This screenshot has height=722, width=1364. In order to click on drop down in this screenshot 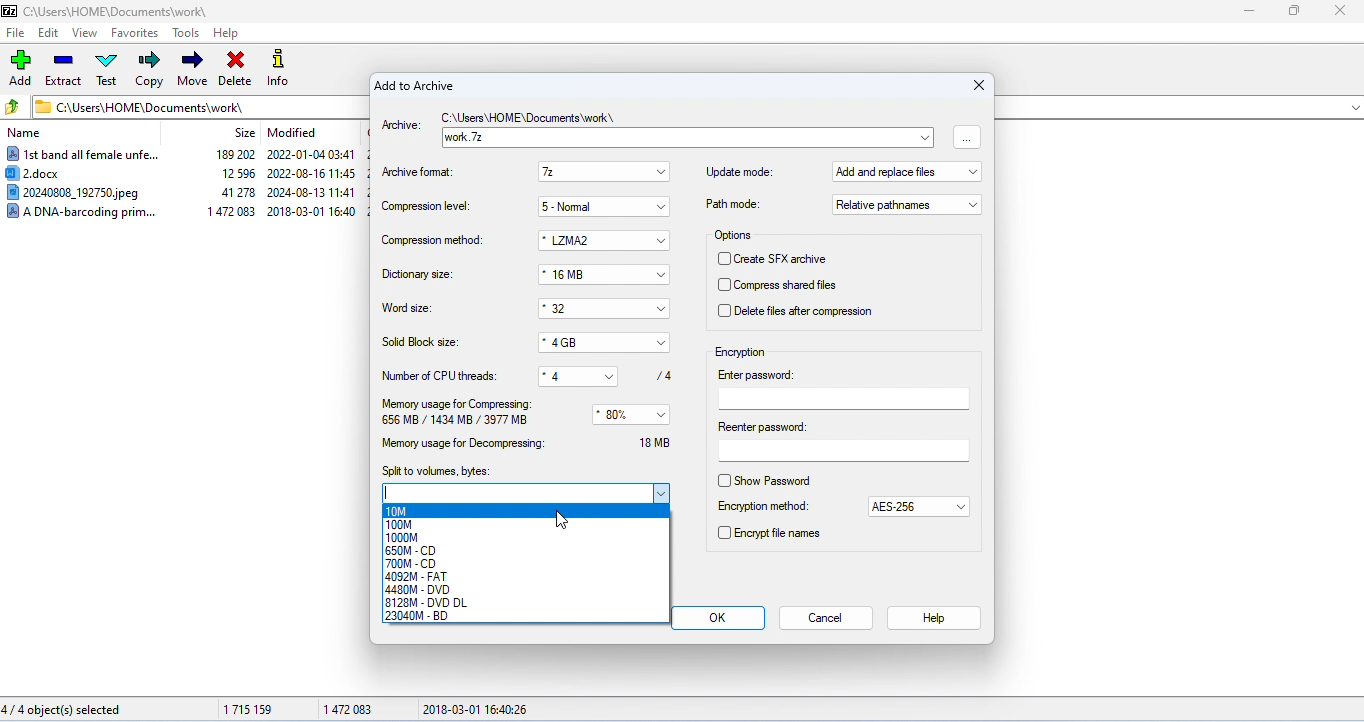, I will do `click(662, 173)`.